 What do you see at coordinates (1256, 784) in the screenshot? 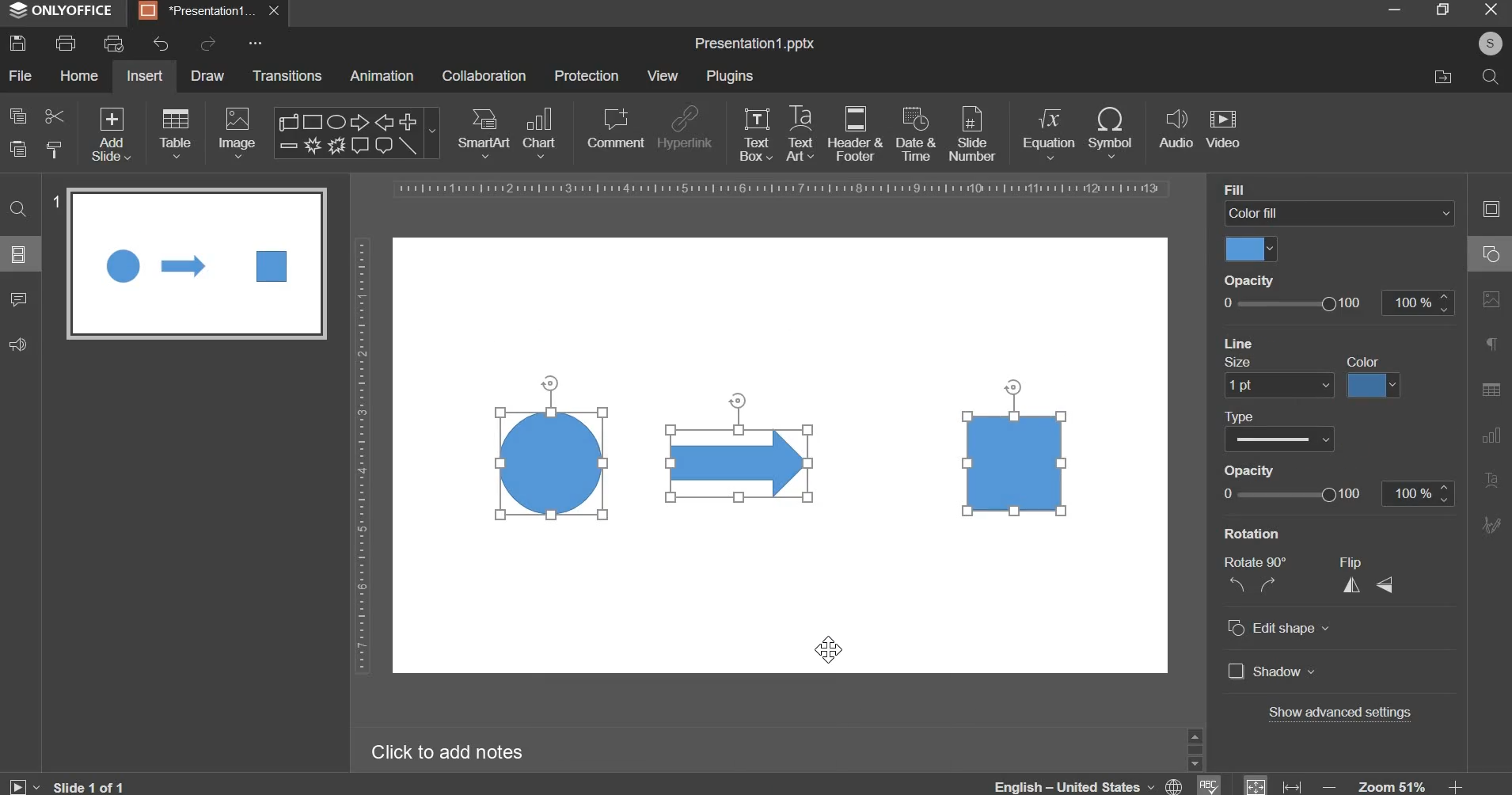
I see `fit to screen` at bounding box center [1256, 784].